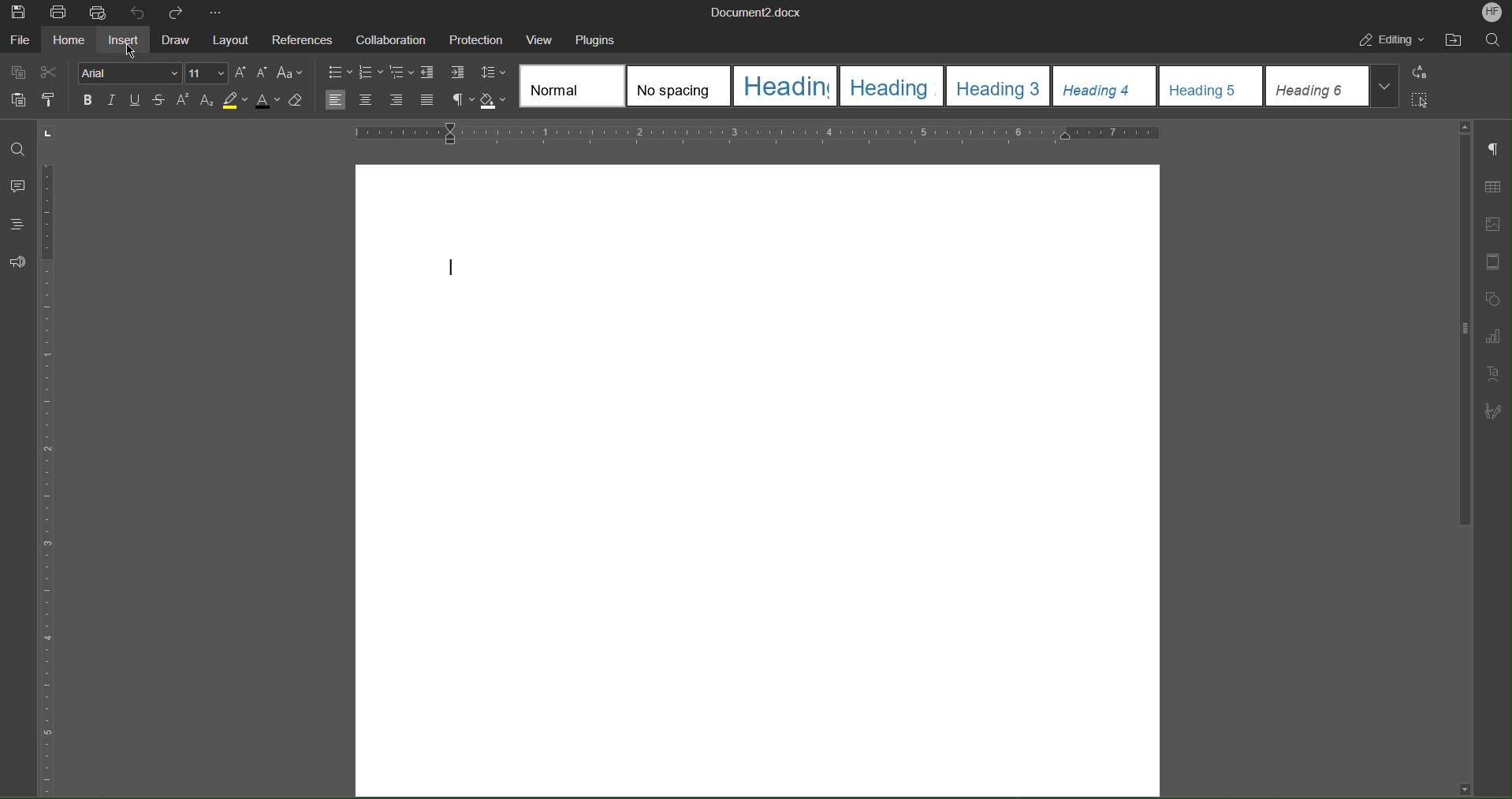  What do you see at coordinates (263, 72) in the screenshot?
I see `Decrease Font` at bounding box center [263, 72].